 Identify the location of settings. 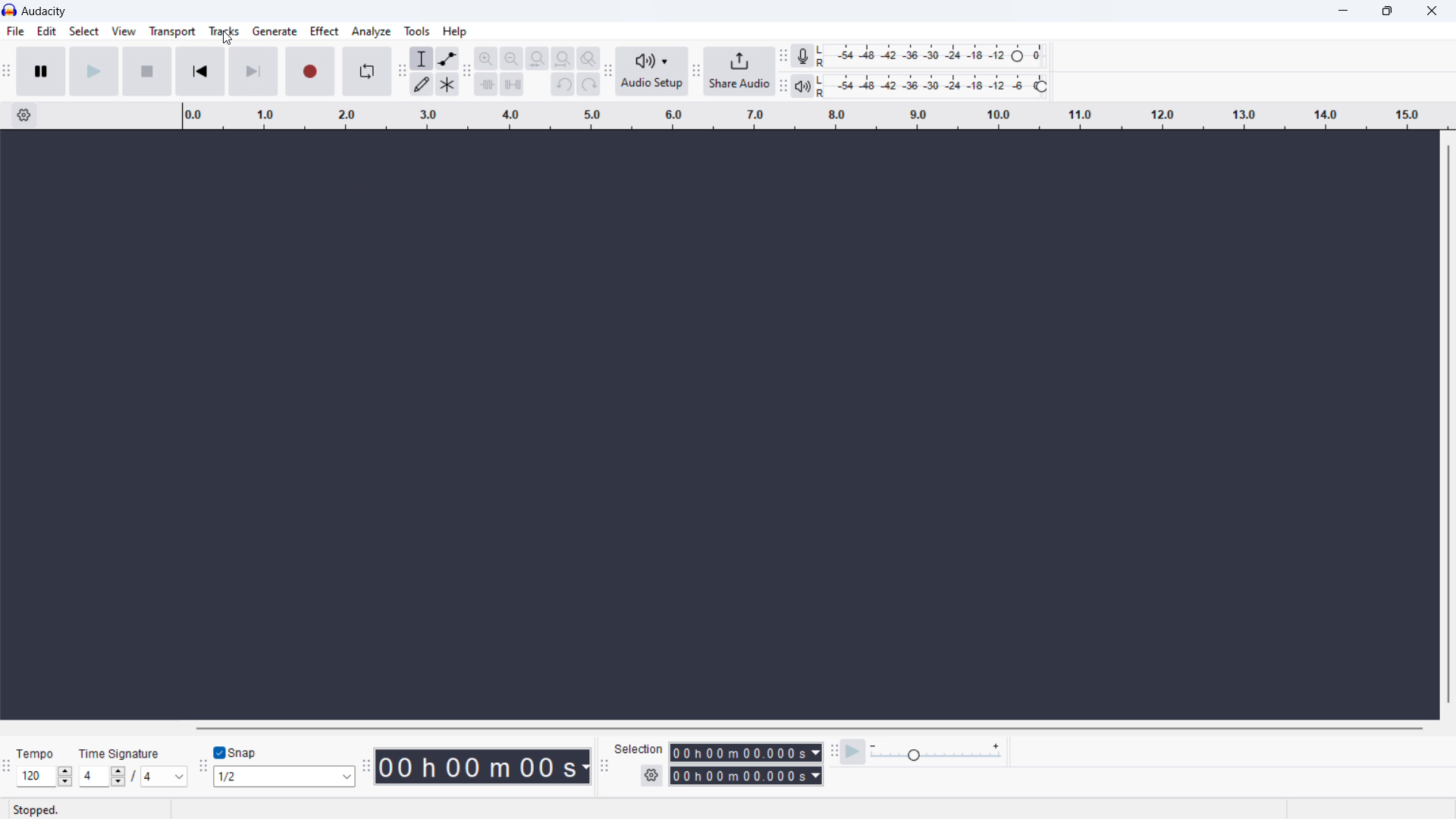
(23, 115).